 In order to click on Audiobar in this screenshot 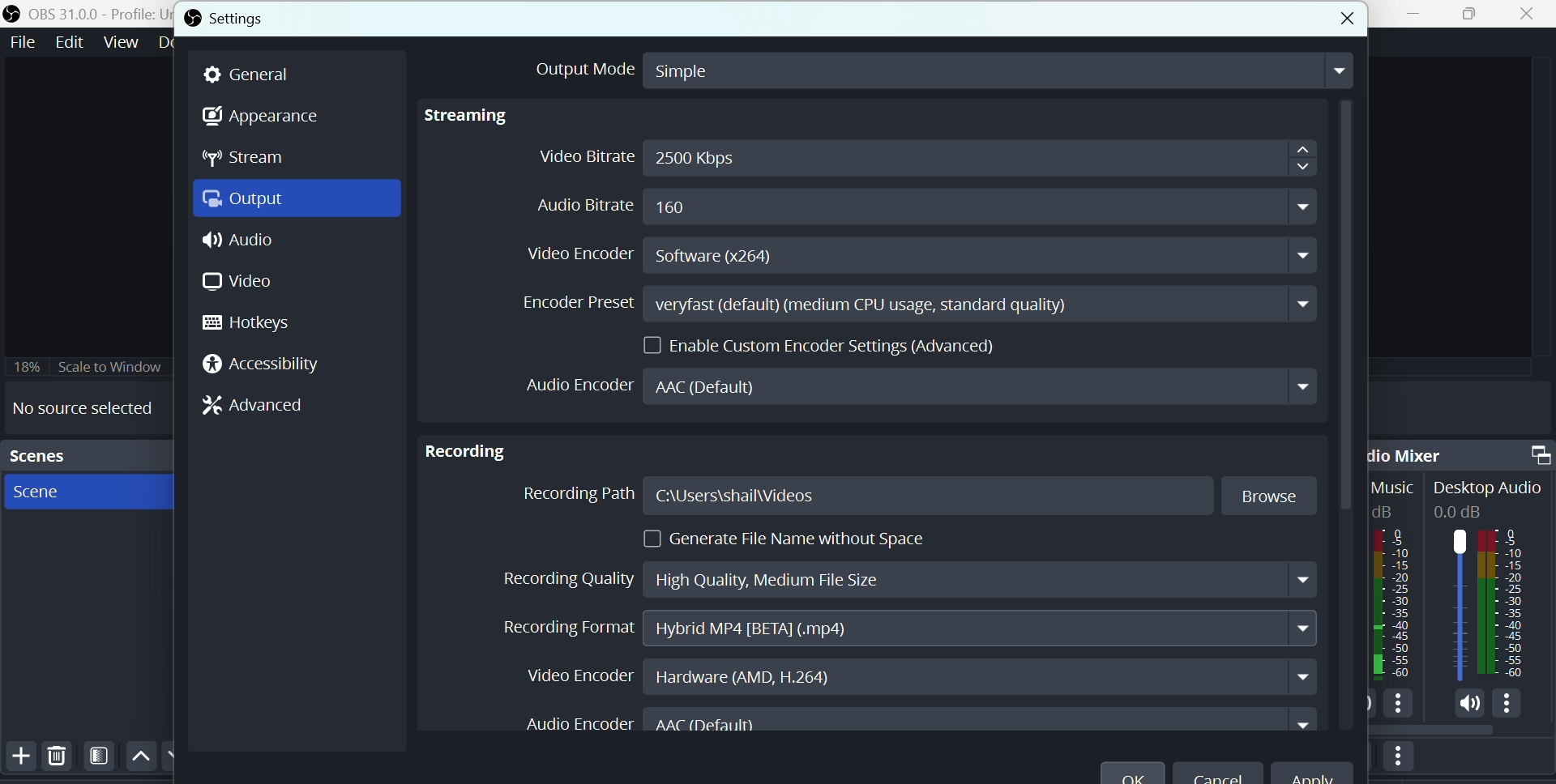, I will do `click(1460, 607)`.